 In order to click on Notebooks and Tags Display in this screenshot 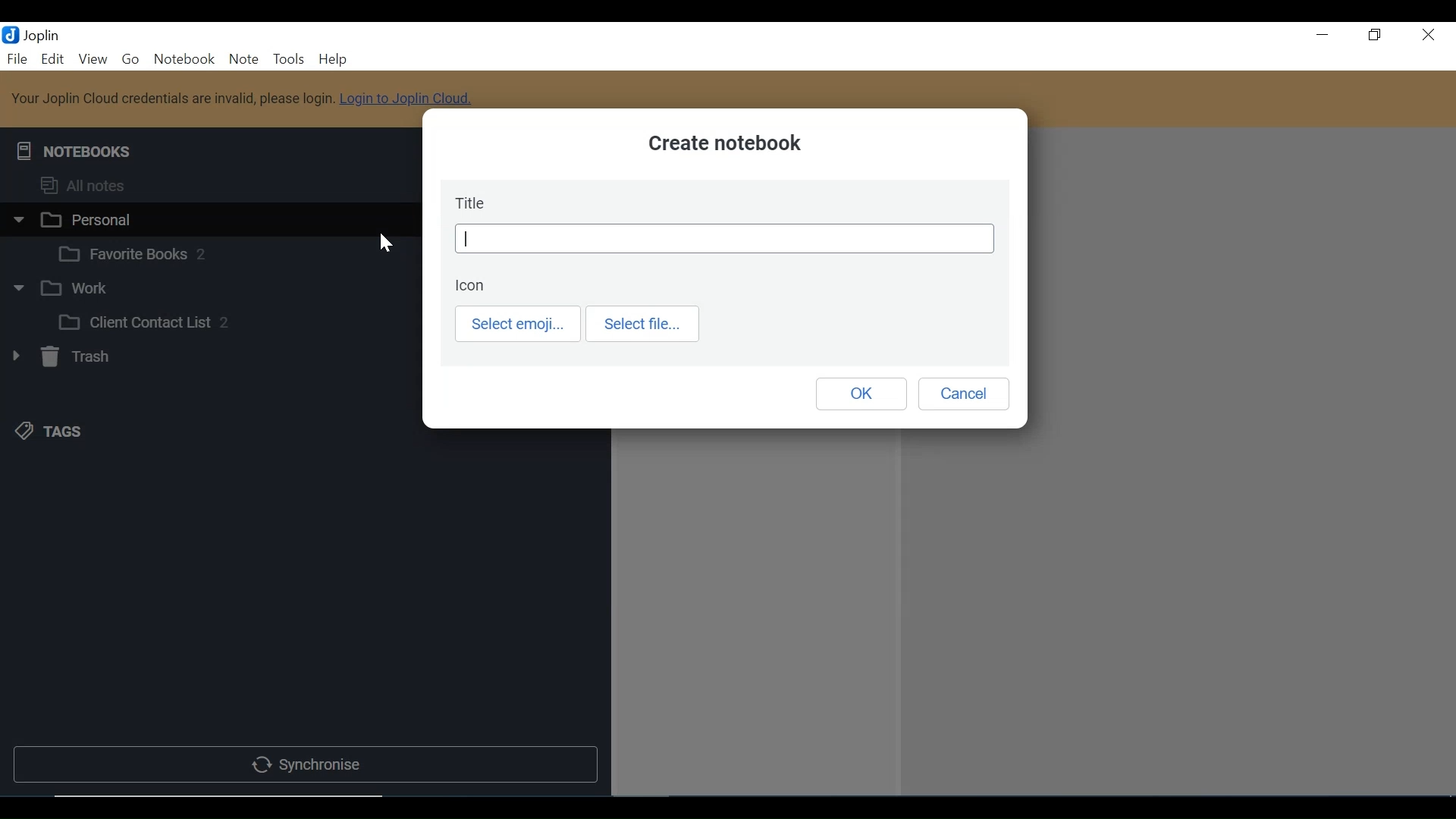, I will do `click(208, 185)`.